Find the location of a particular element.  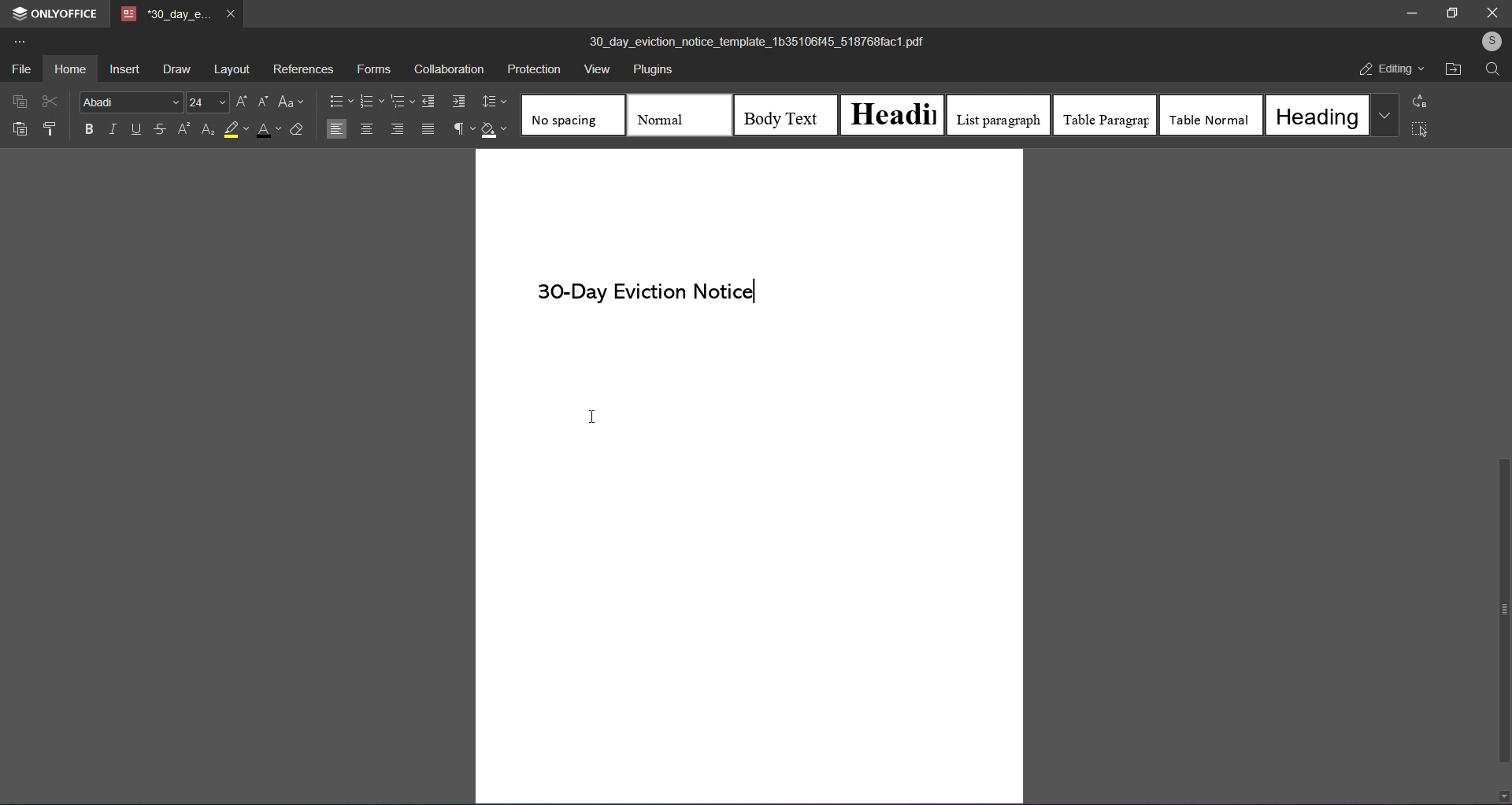

superscript is located at coordinates (183, 129).